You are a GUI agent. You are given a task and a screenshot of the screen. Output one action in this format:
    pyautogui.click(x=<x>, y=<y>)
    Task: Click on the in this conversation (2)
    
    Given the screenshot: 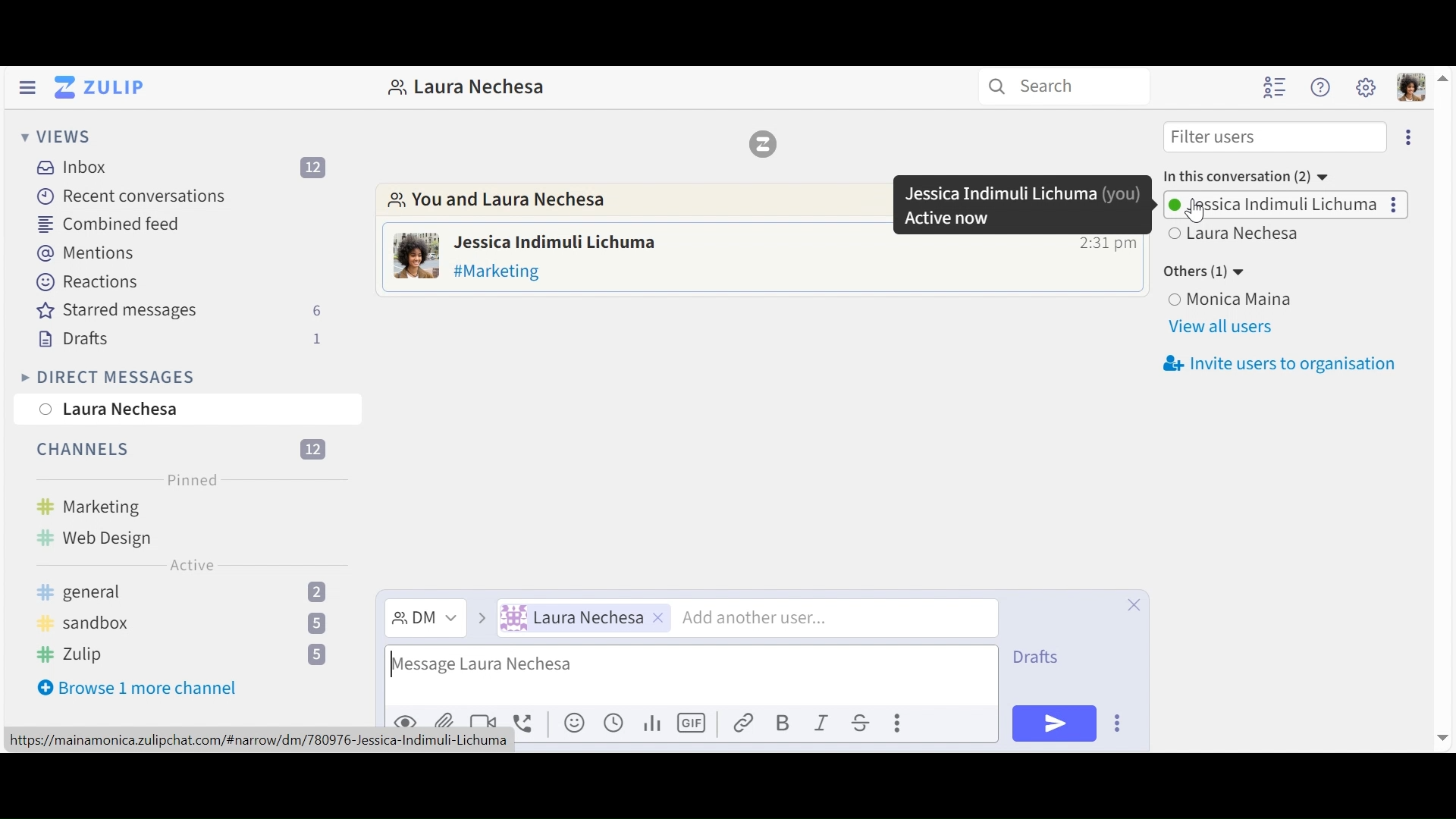 What is the action you would take?
    pyautogui.click(x=1247, y=175)
    